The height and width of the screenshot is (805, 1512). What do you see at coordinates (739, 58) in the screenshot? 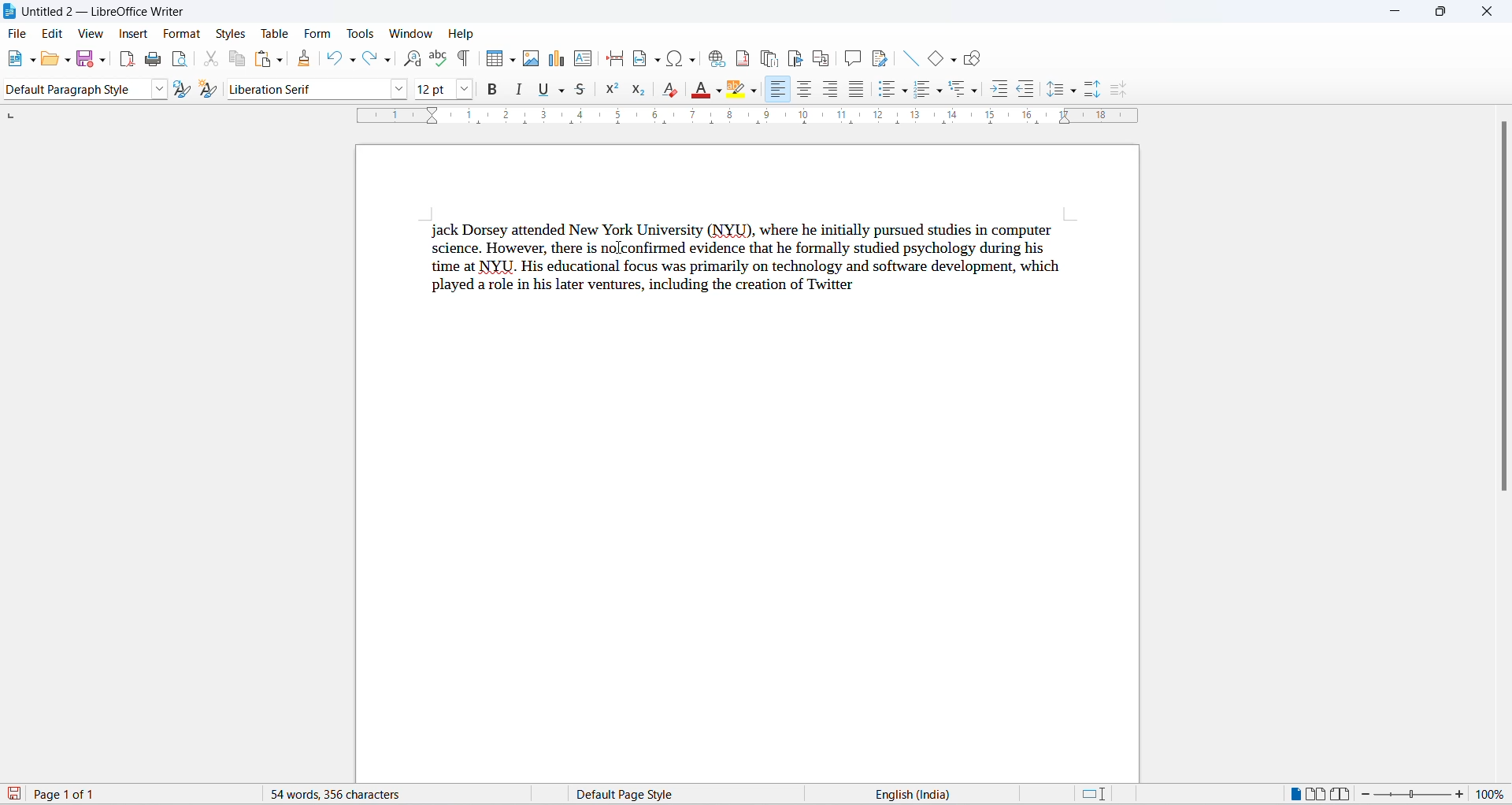
I see `insert footnote` at bounding box center [739, 58].